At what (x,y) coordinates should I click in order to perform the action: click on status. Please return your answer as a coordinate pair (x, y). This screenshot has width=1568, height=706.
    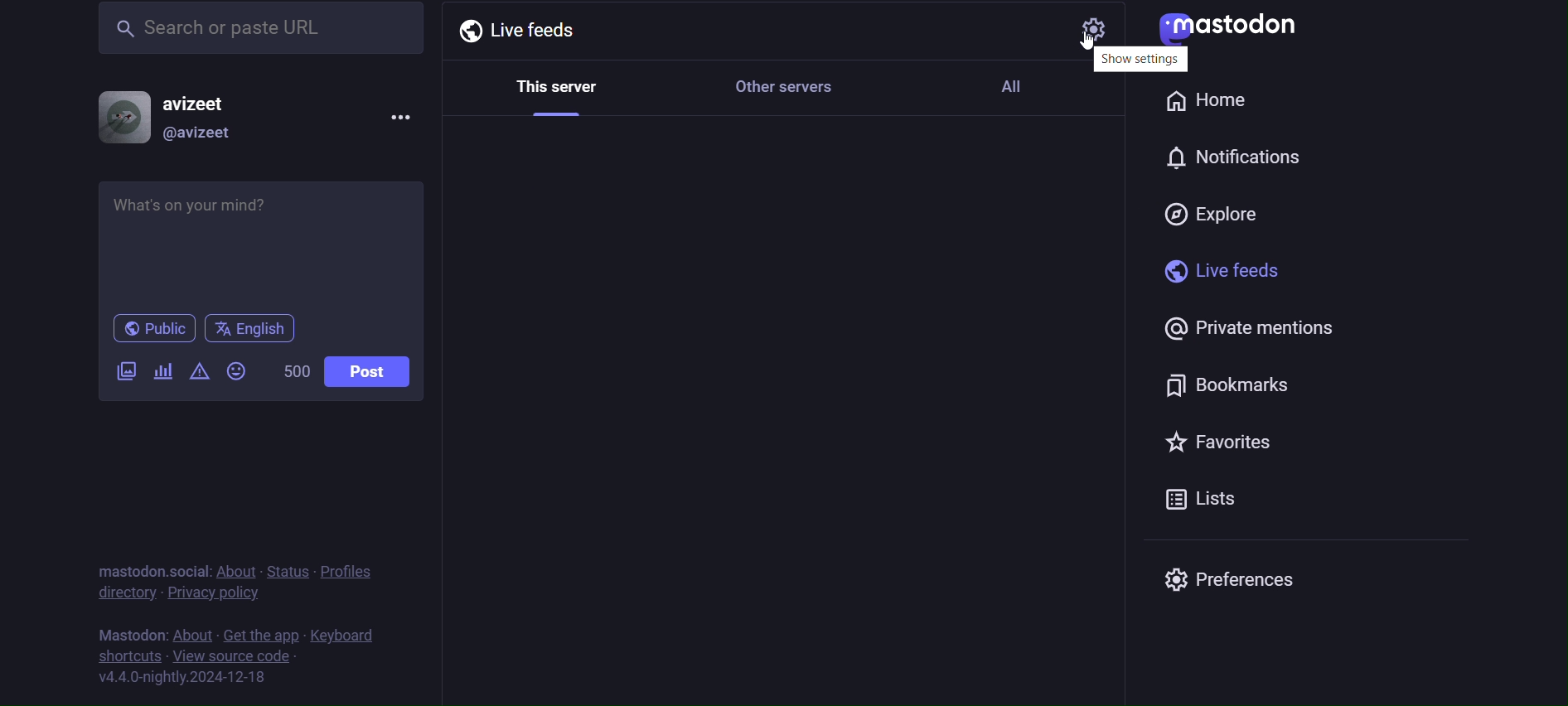
    Looking at the image, I should click on (283, 563).